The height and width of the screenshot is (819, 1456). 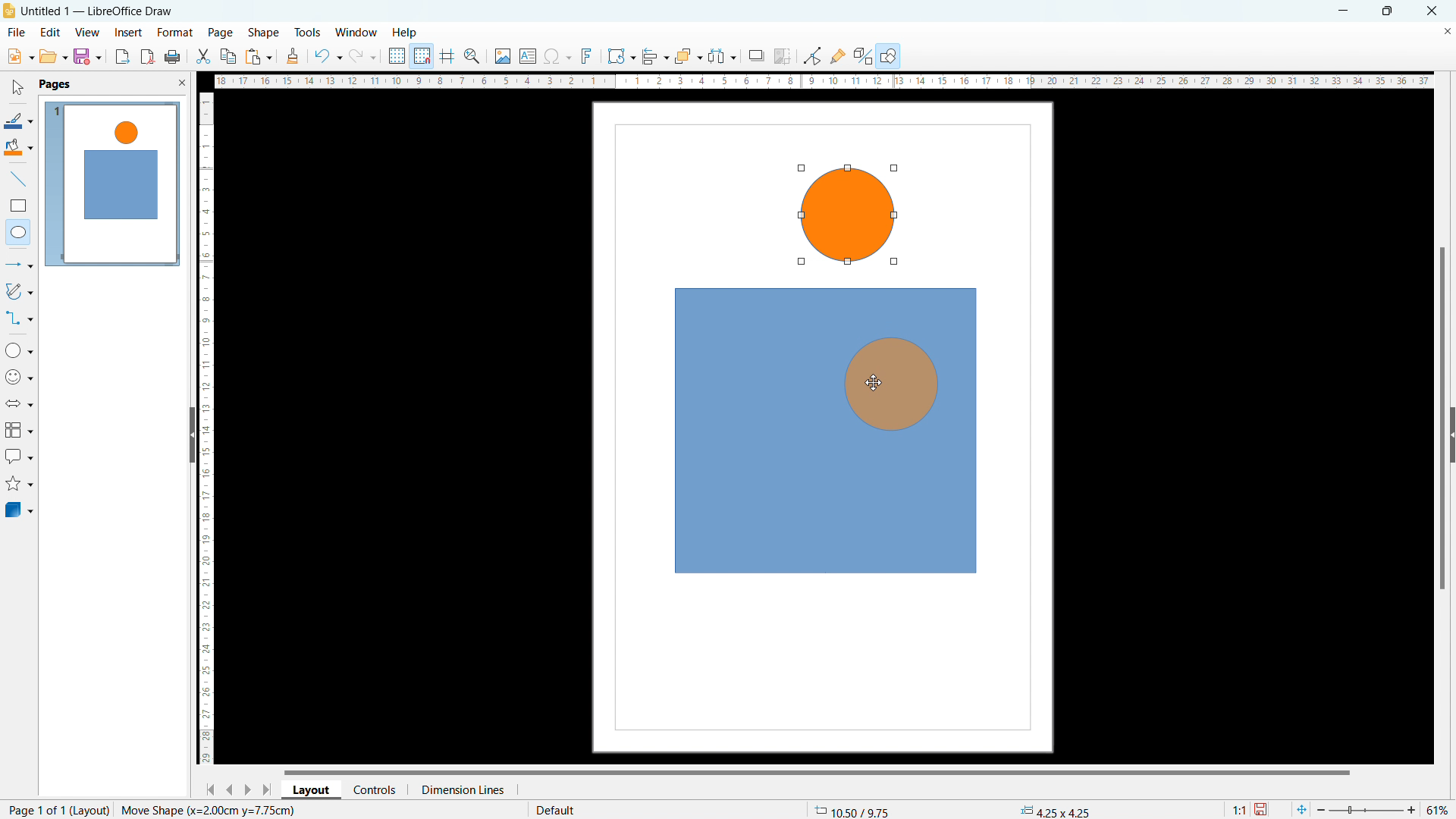 I want to click on pages, so click(x=54, y=83).